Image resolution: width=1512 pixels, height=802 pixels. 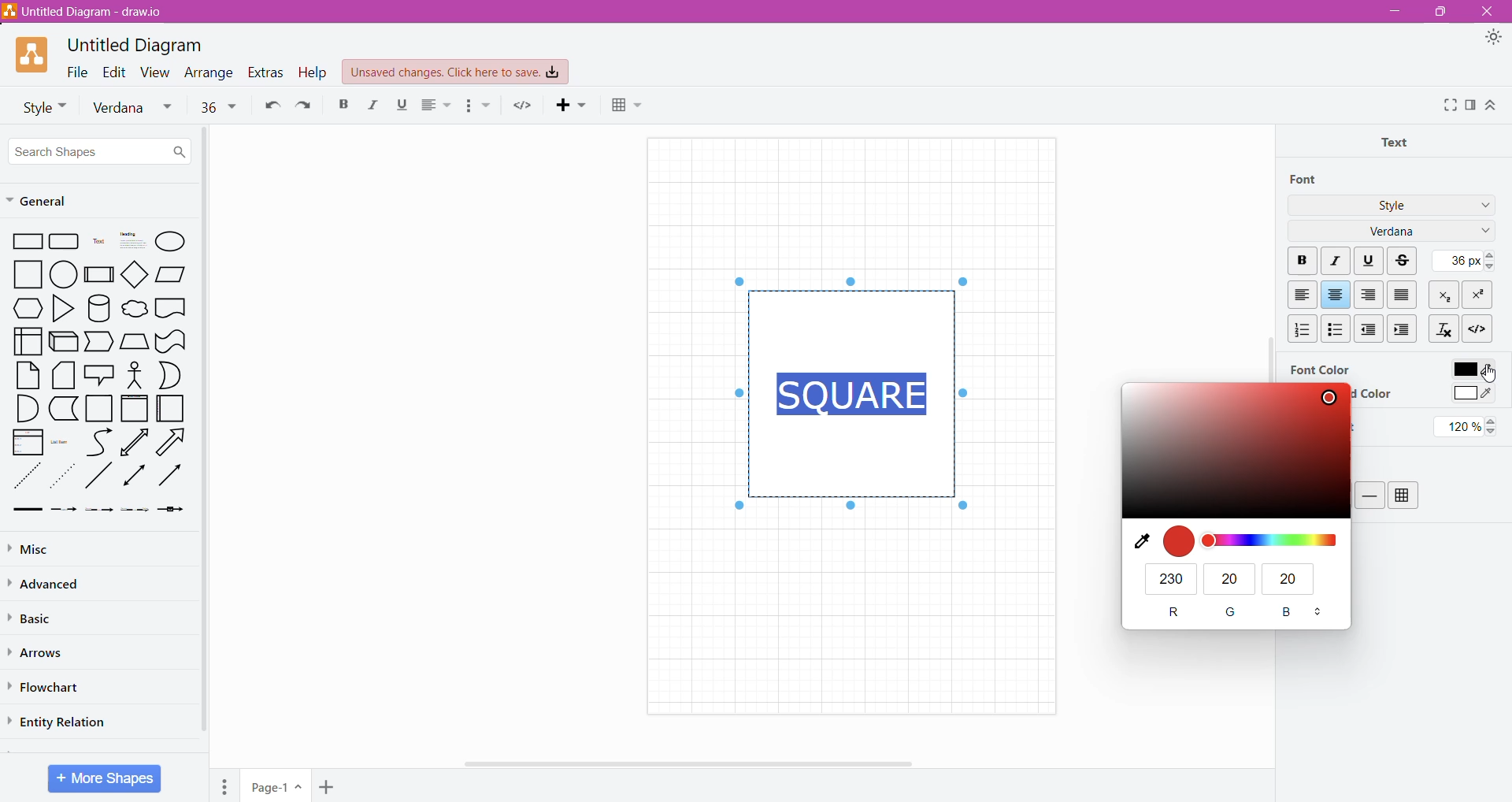 I want to click on Speech Bubble, so click(x=101, y=373).